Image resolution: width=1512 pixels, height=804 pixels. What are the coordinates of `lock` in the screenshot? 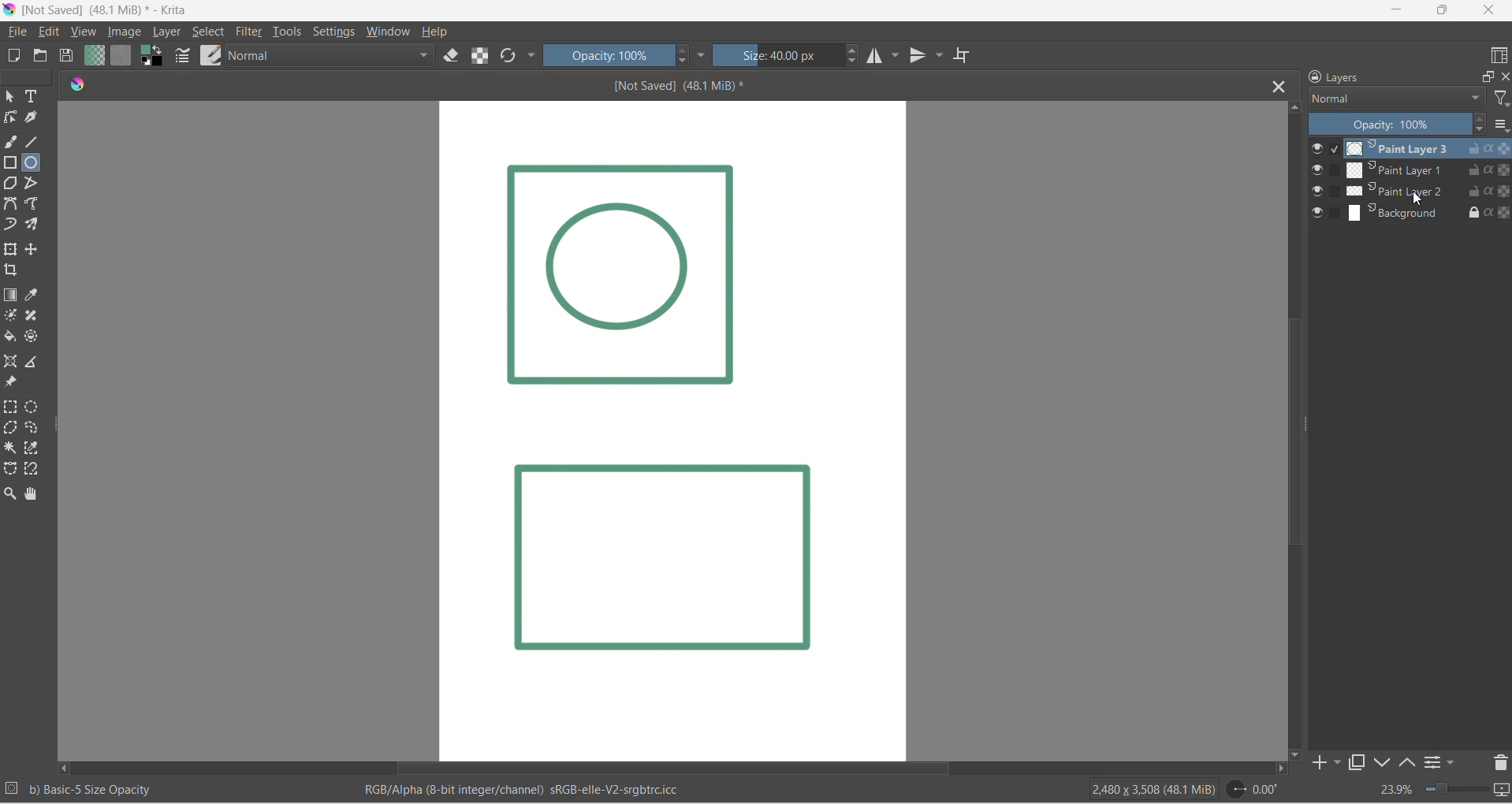 It's located at (1471, 210).